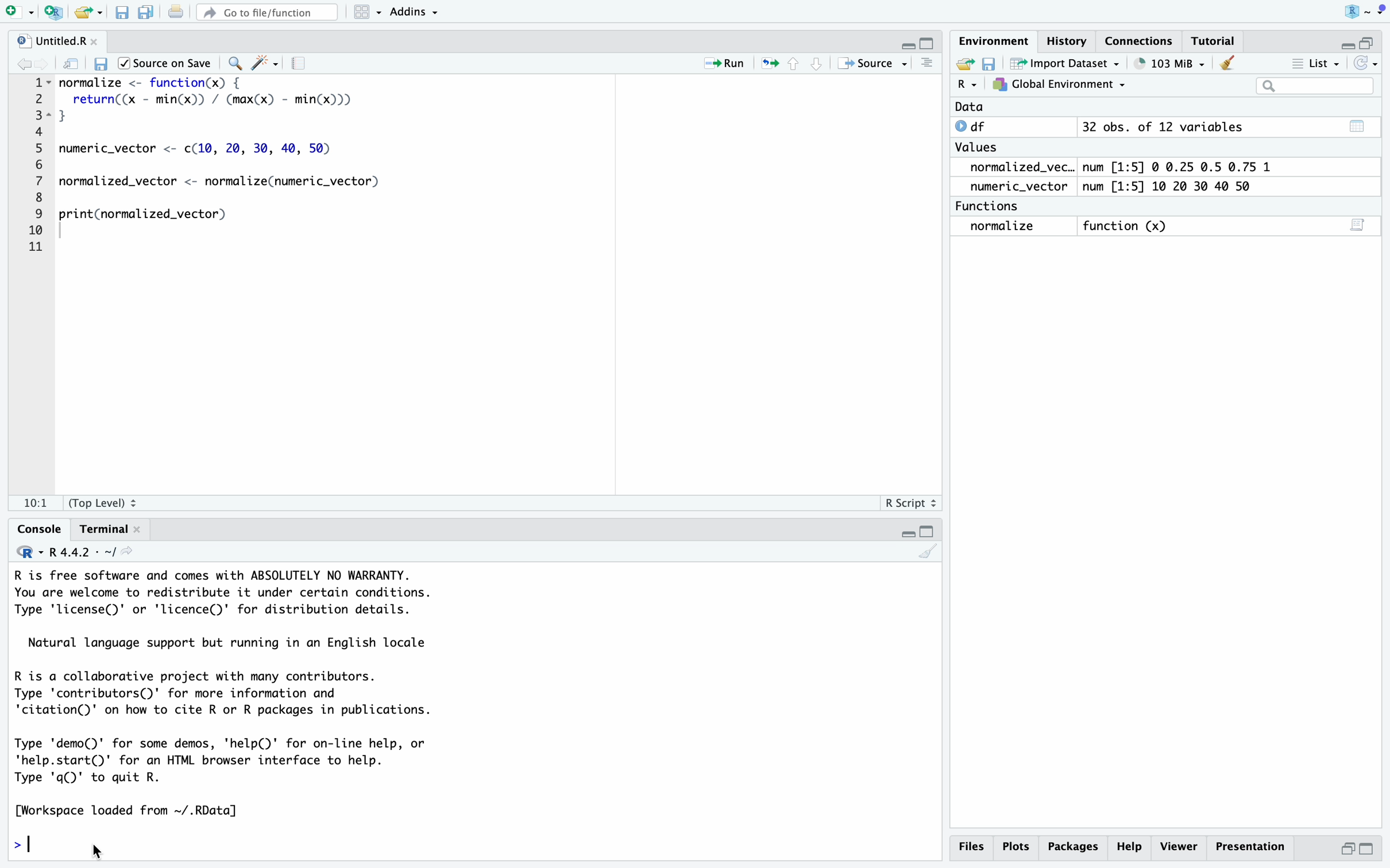 Image resolution: width=1390 pixels, height=868 pixels. Describe the element at coordinates (1214, 40) in the screenshot. I see `Tutorial` at that location.